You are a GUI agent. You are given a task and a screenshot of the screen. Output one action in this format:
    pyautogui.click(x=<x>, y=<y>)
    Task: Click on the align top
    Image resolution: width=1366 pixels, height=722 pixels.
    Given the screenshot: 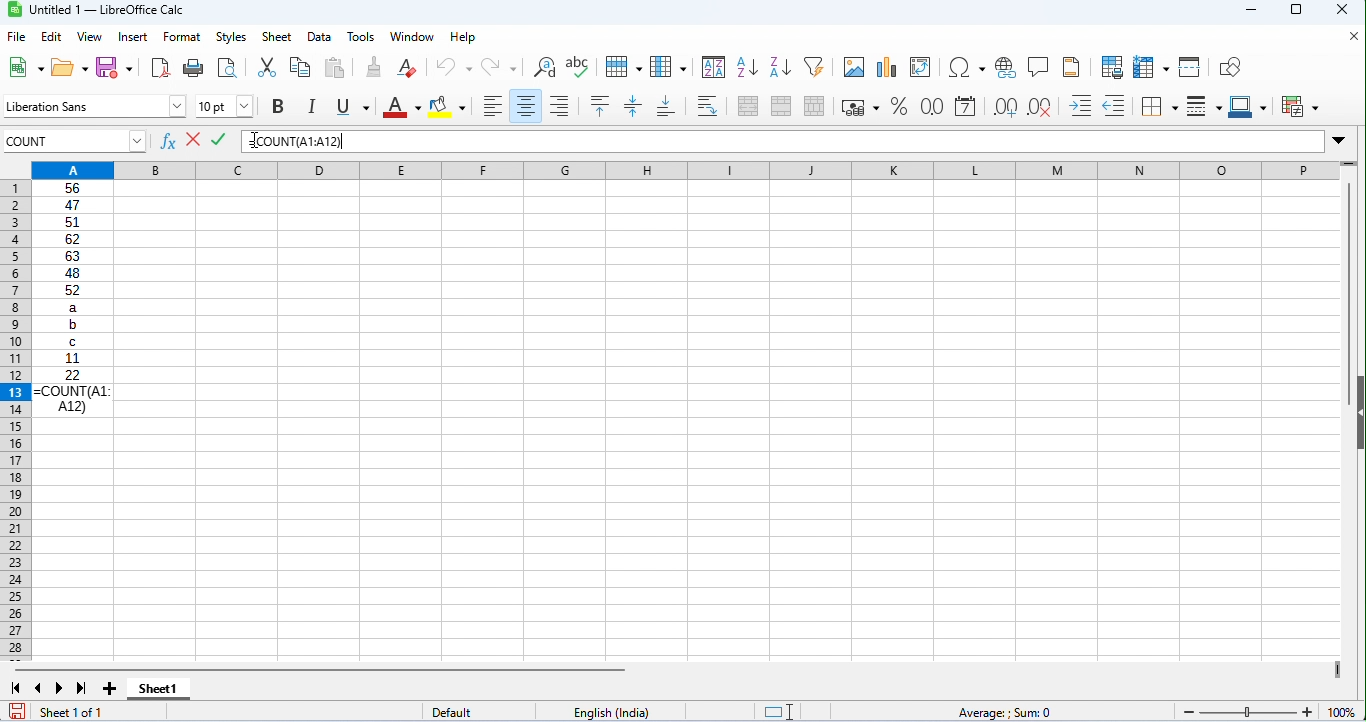 What is the action you would take?
    pyautogui.click(x=598, y=105)
    